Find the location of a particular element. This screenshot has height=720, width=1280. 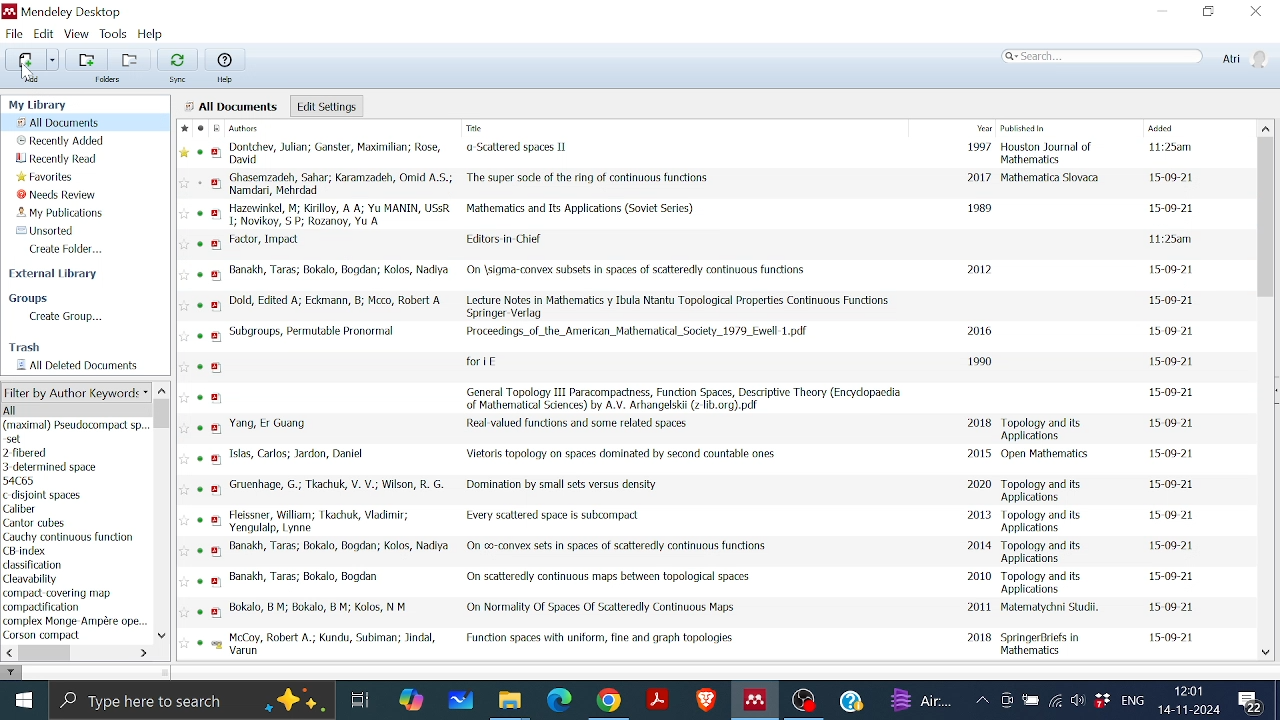

Title is located at coordinates (687, 399).